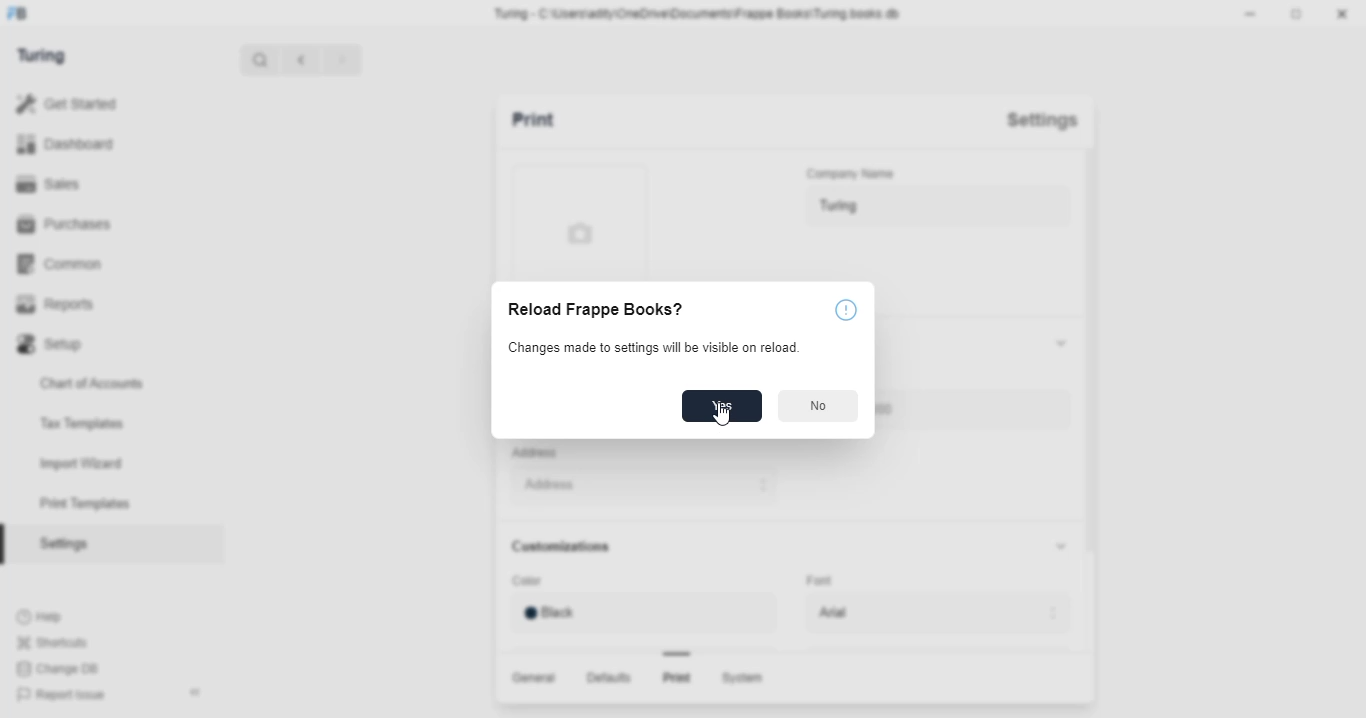 This screenshot has height=718, width=1366. What do you see at coordinates (58, 184) in the screenshot?
I see `Sales` at bounding box center [58, 184].